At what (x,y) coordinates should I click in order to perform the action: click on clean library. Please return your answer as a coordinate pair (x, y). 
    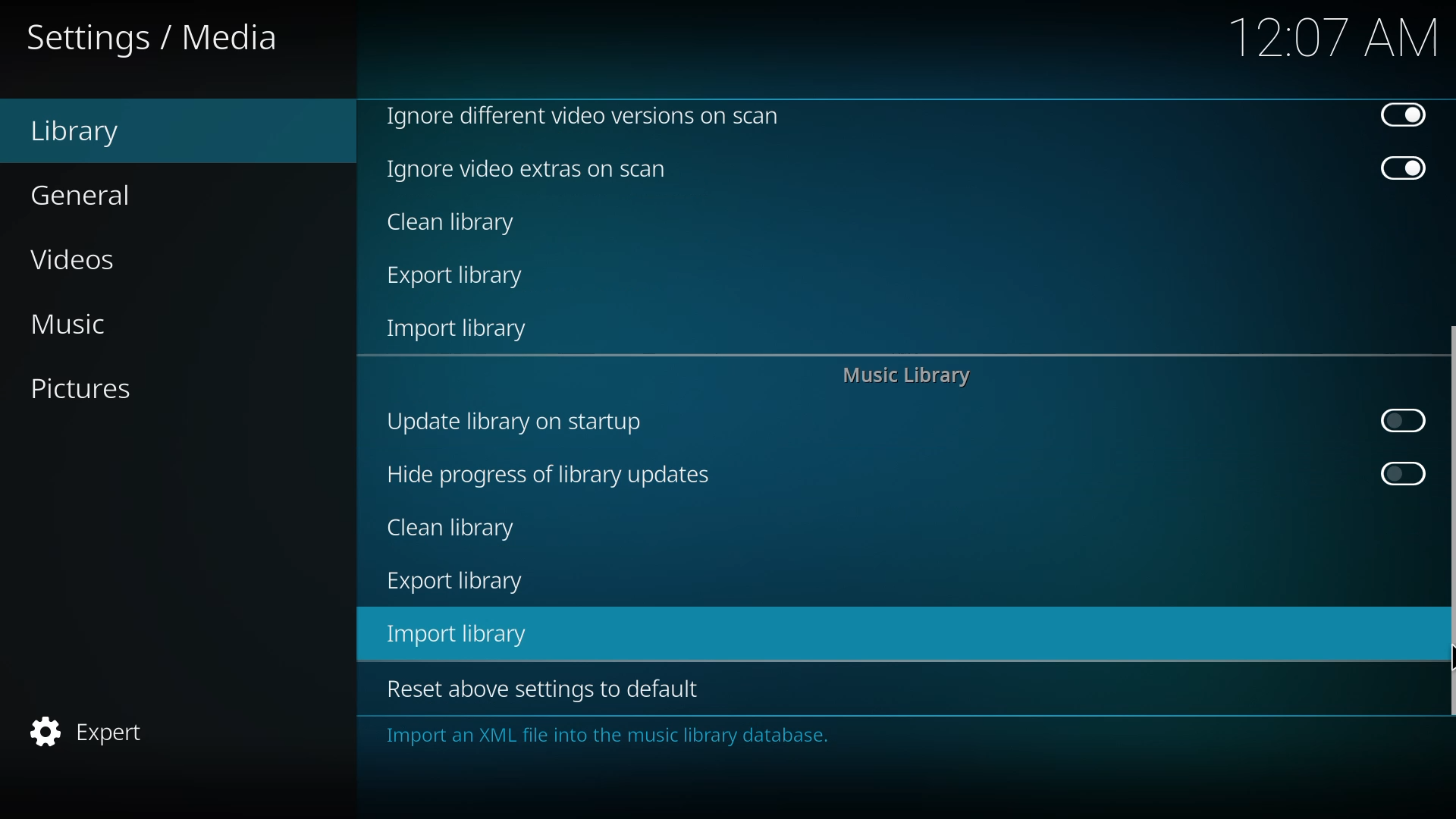
    Looking at the image, I should click on (453, 527).